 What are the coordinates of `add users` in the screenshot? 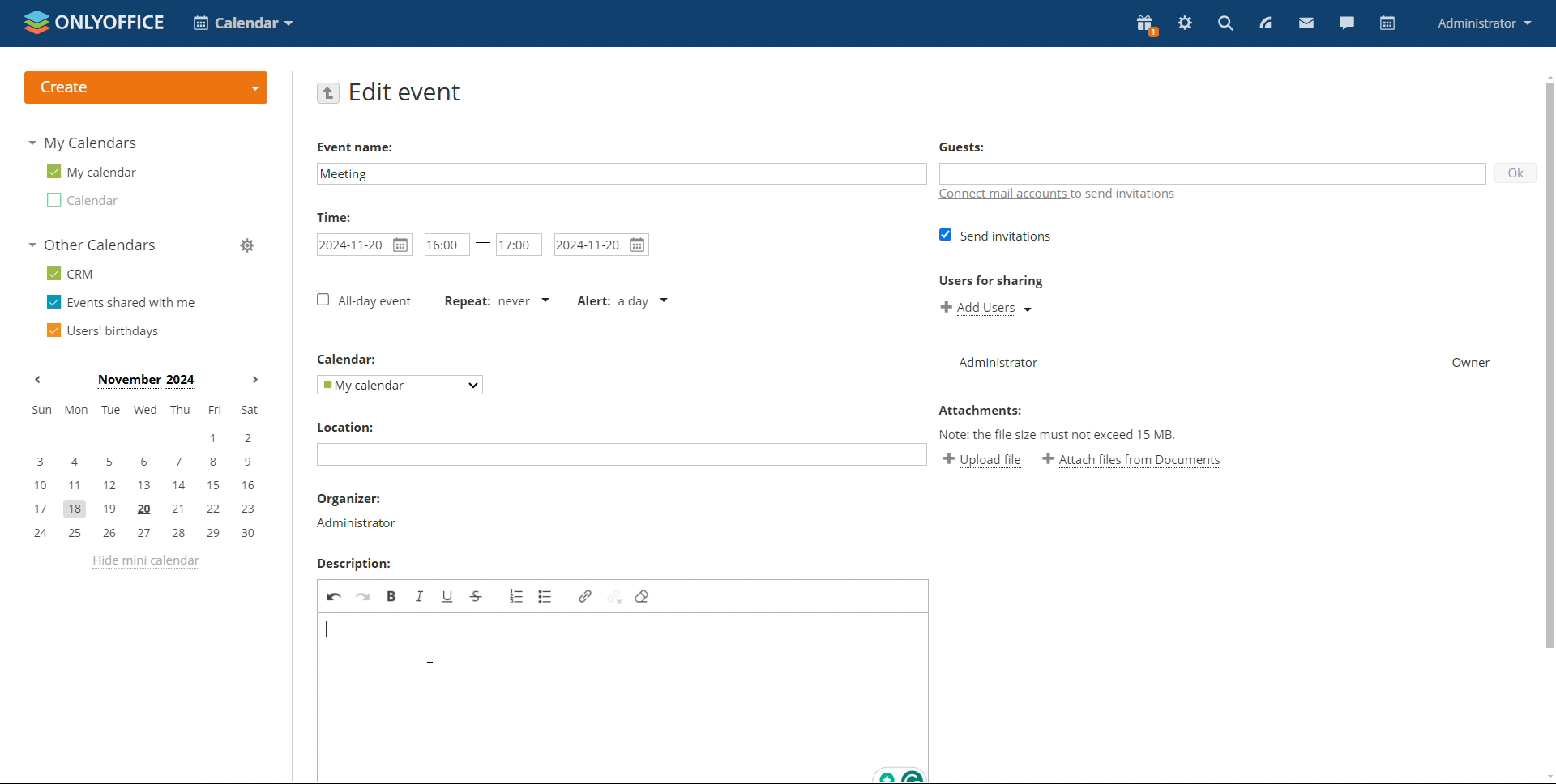 It's located at (985, 309).